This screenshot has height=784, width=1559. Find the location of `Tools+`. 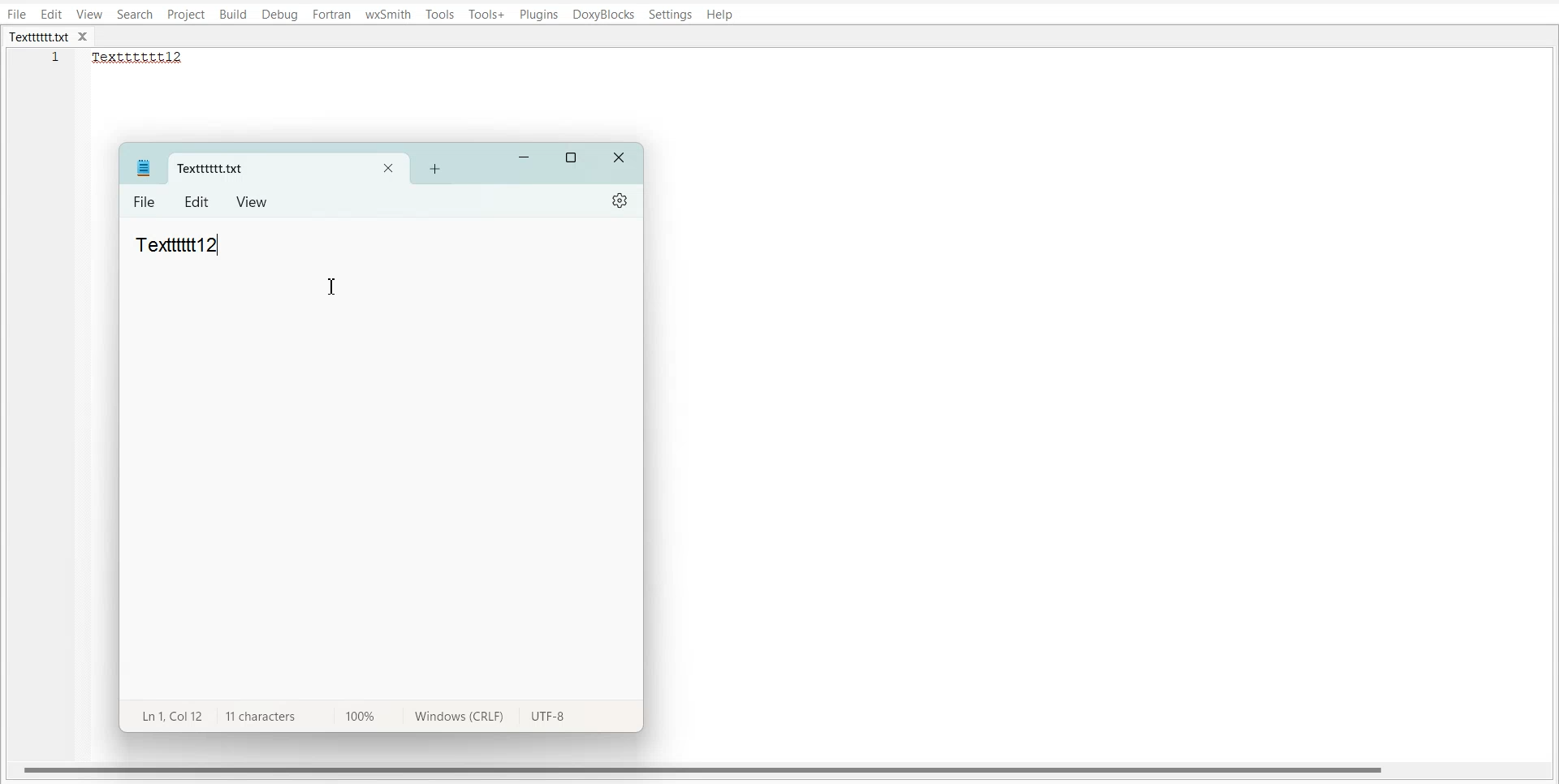

Tools+ is located at coordinates (487, 15).